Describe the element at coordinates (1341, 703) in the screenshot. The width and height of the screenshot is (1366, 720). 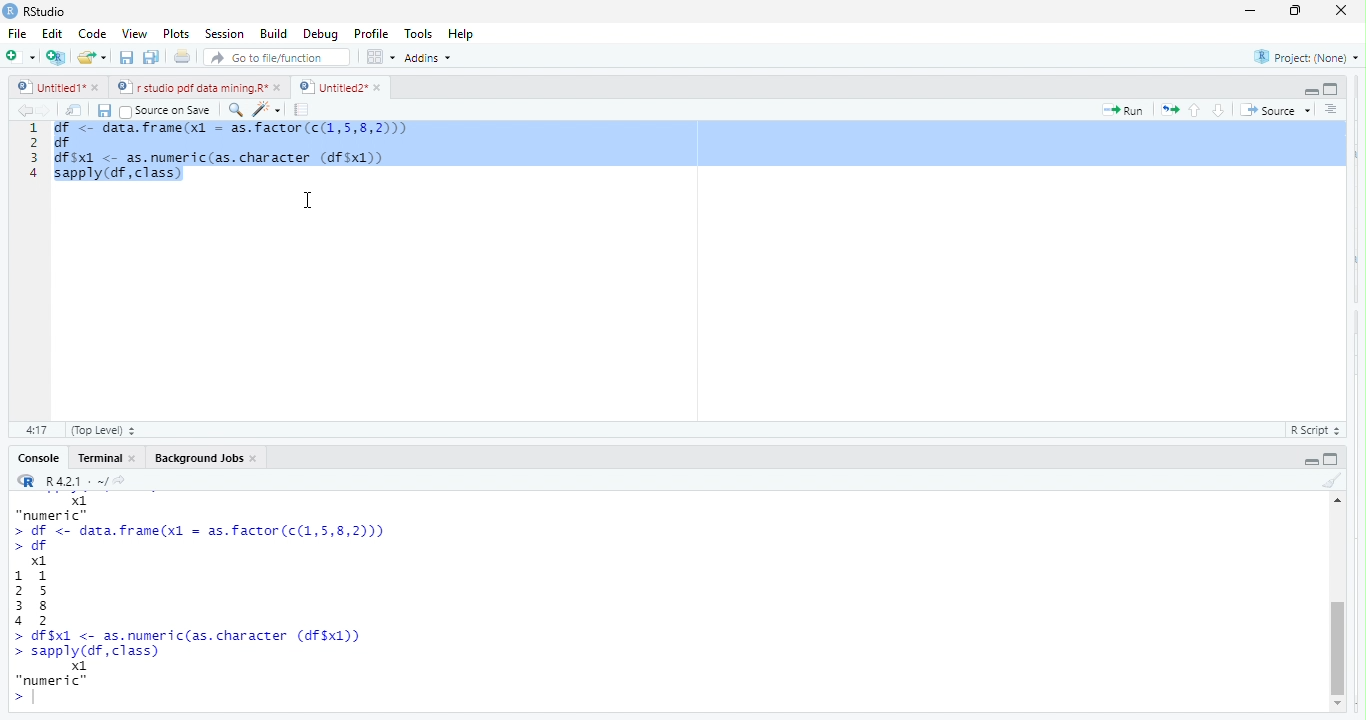
I see `scroll down` at that location.